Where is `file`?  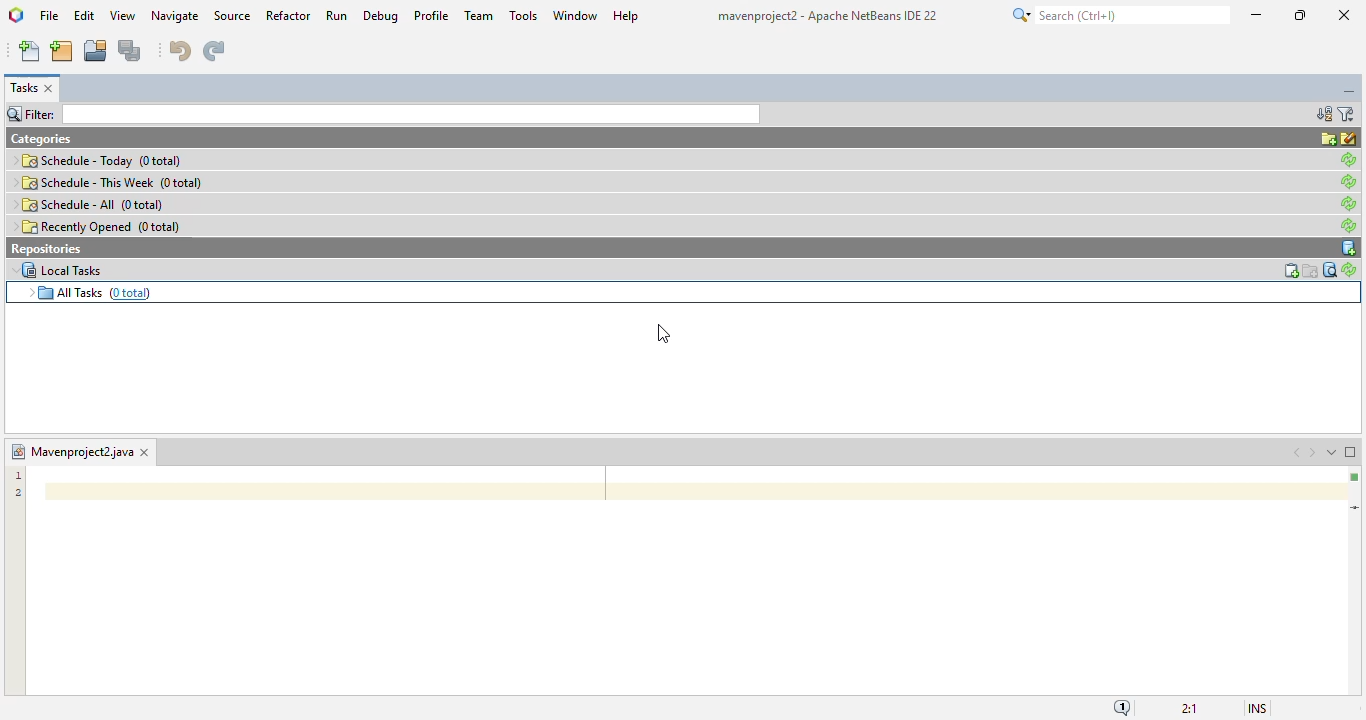
file is located at coordinates (50, 15).